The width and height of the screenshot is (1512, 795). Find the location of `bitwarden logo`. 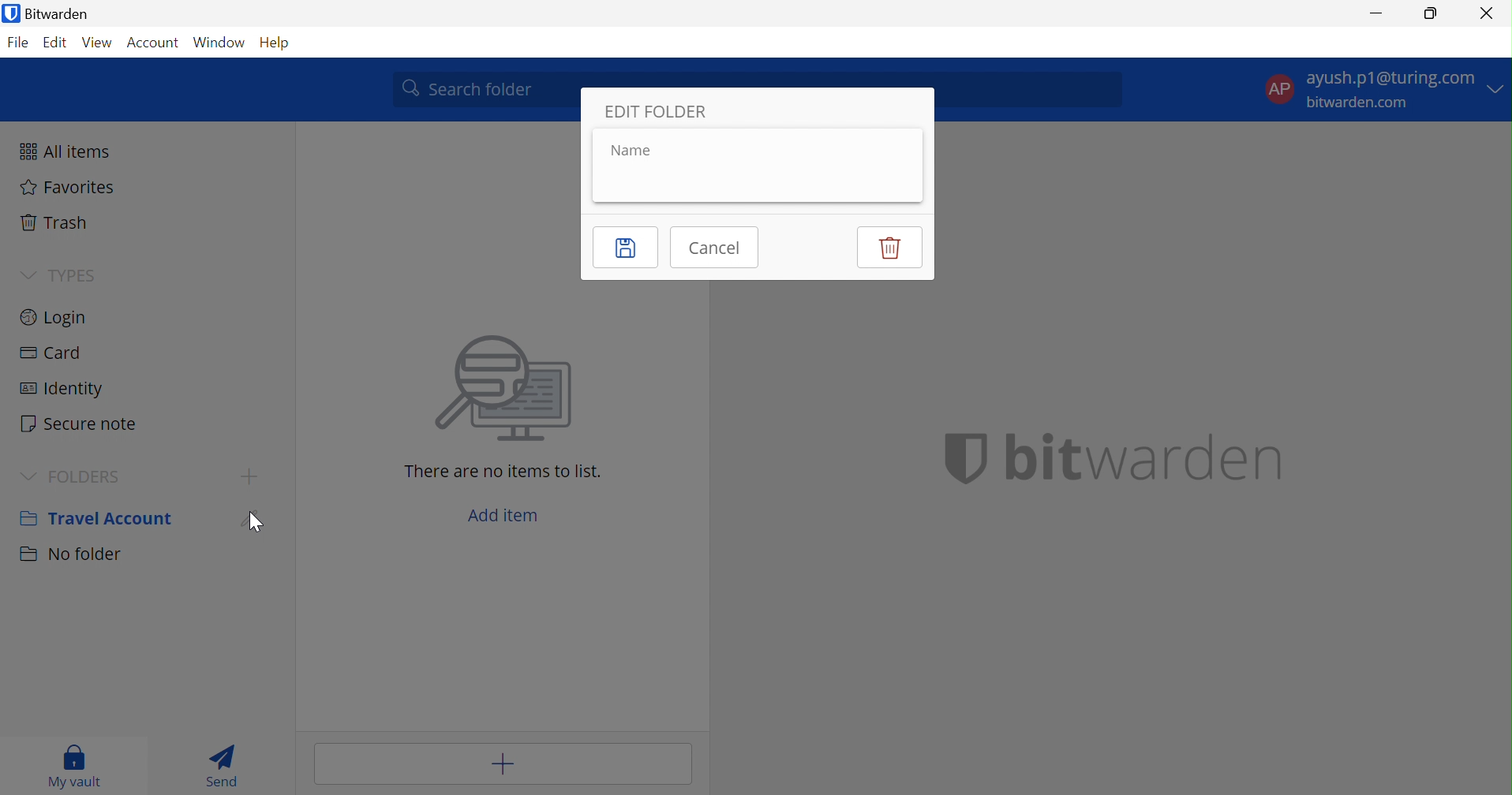

bitwarden logo is located at coordinates (955, 457).